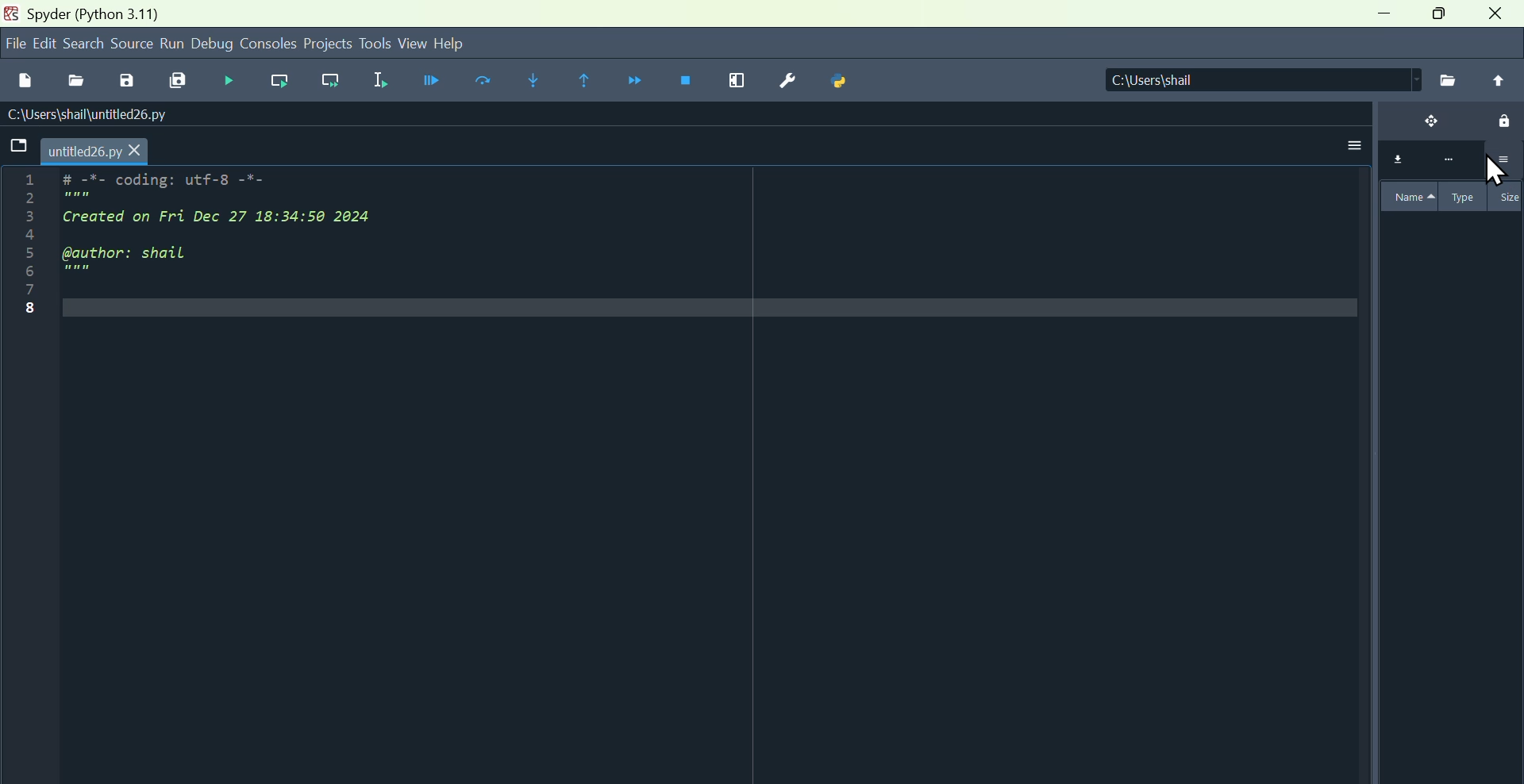  What do you see at coordinates (25, 77) in the screenshot?
I see `New file` at bounding box center [25, 77].